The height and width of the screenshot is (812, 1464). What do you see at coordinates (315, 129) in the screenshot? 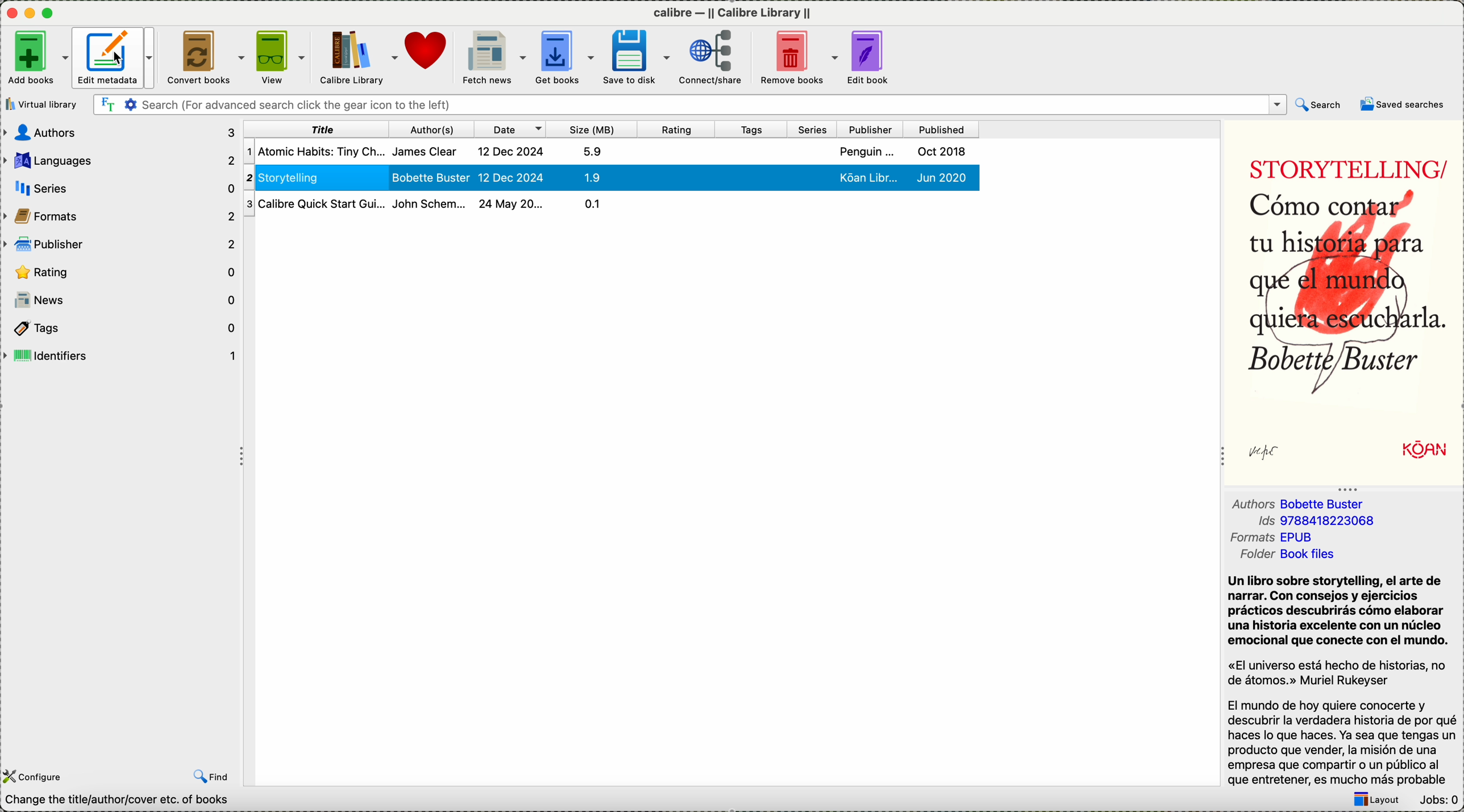
I see `title` at bounding box center [315, 129].